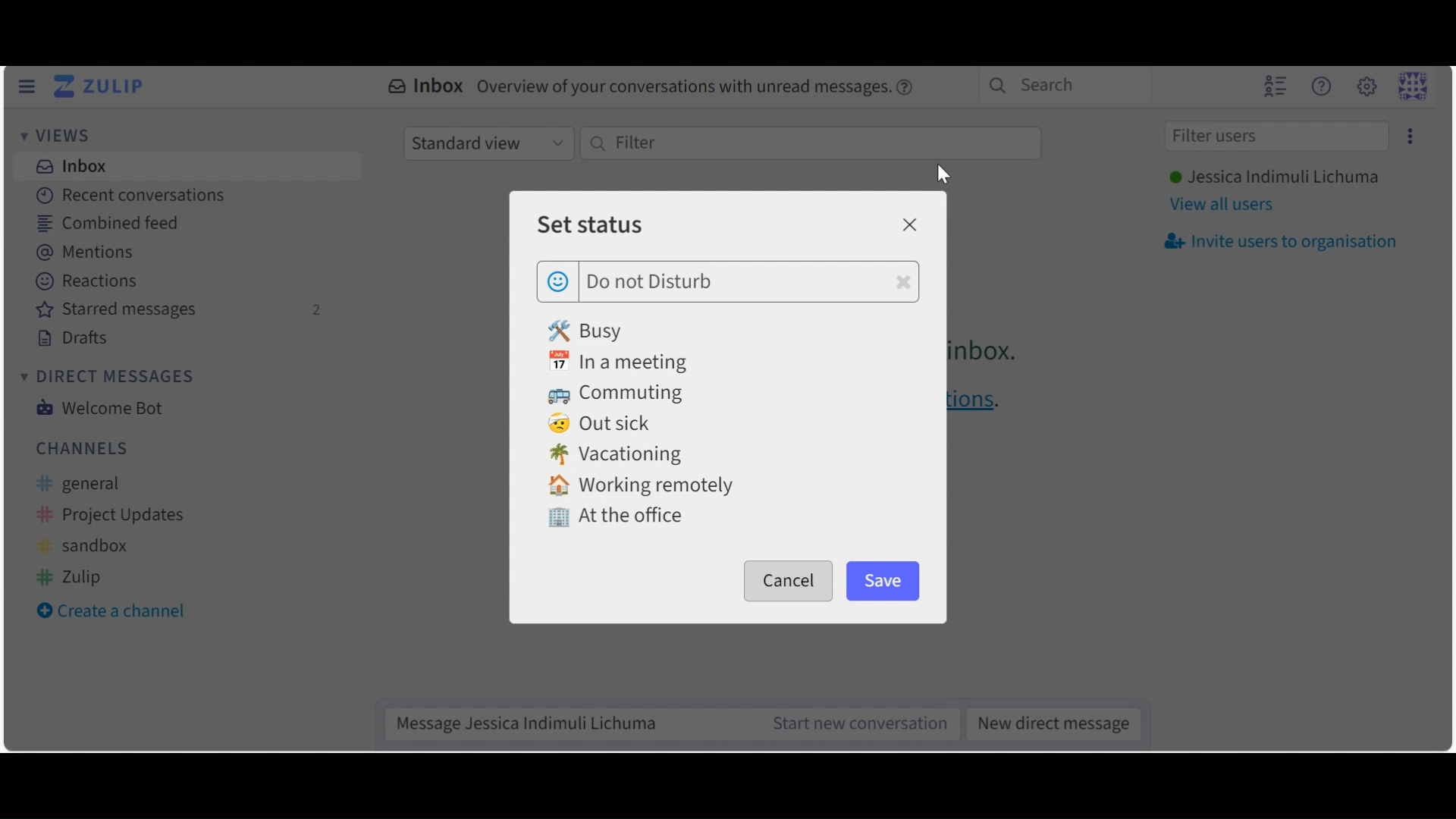 The image size is (1456, 819). Describe the element at coordinates (93, 253) in the screenshot. I see `Mentions` at that location.